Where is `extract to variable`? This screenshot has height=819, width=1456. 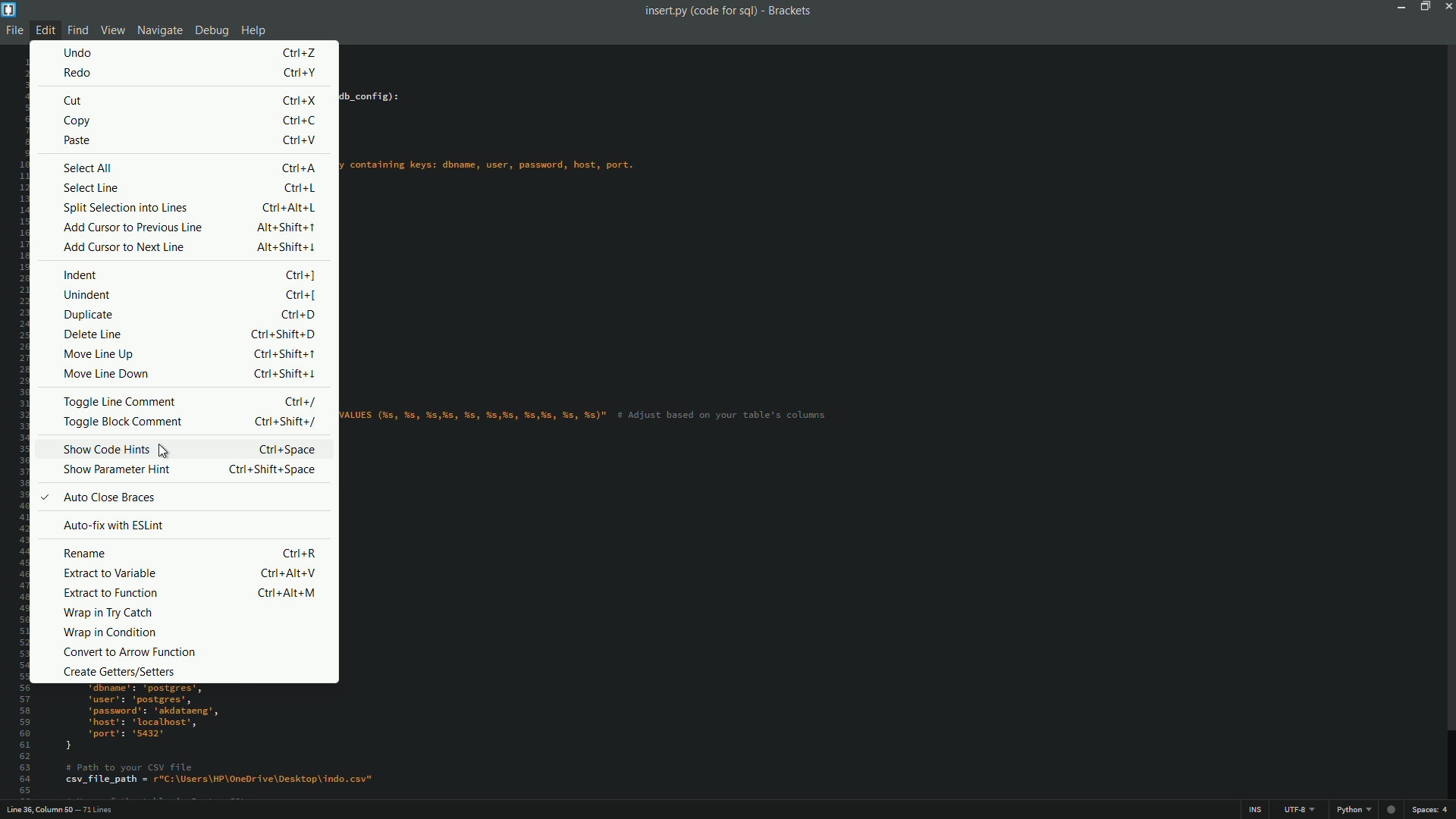 extract to variable is located at coordinates (110, 575).